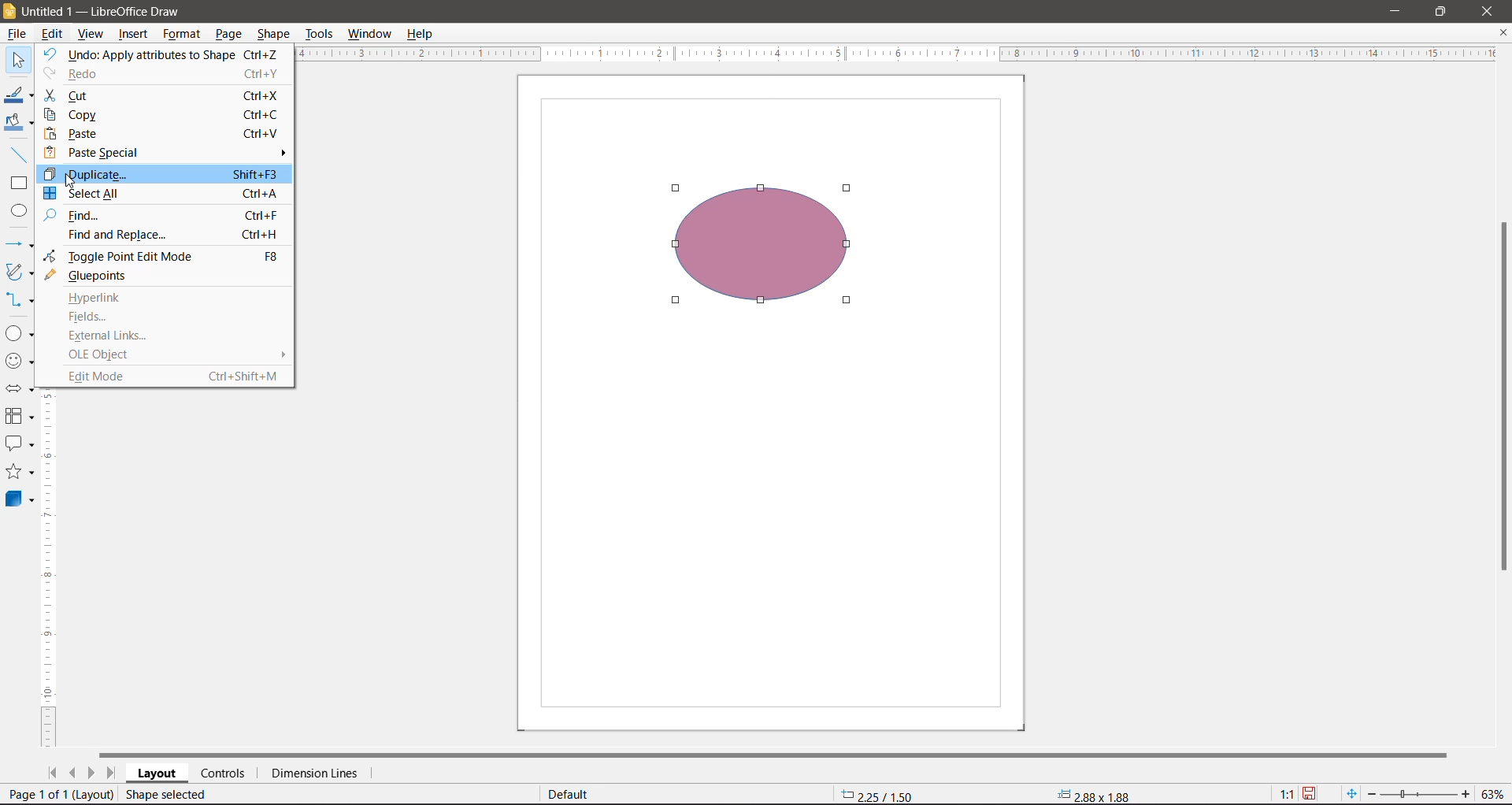 The image size is (1512, 805). What do you see at coordinates (81, 180) in the screenshot?
I see `Cursor` at bounding box center [81, 180].